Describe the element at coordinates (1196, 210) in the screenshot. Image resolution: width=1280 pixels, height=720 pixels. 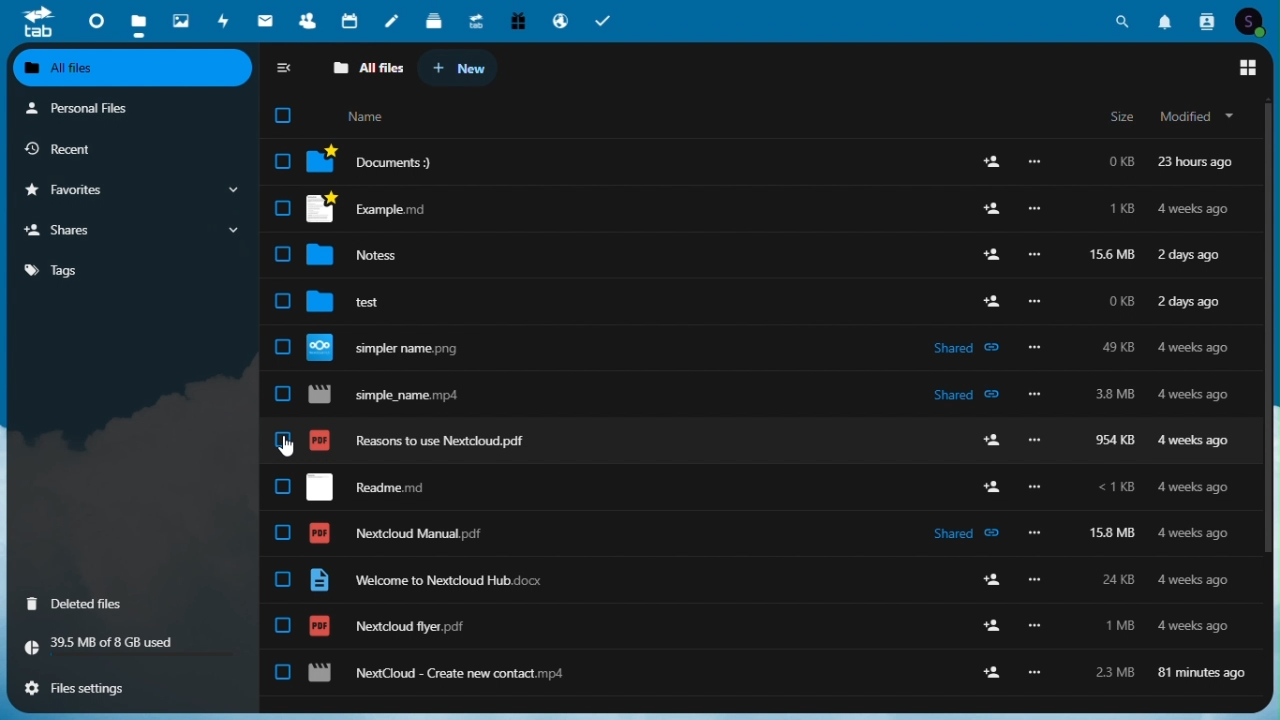
I see `4 weeks ago` at that location.